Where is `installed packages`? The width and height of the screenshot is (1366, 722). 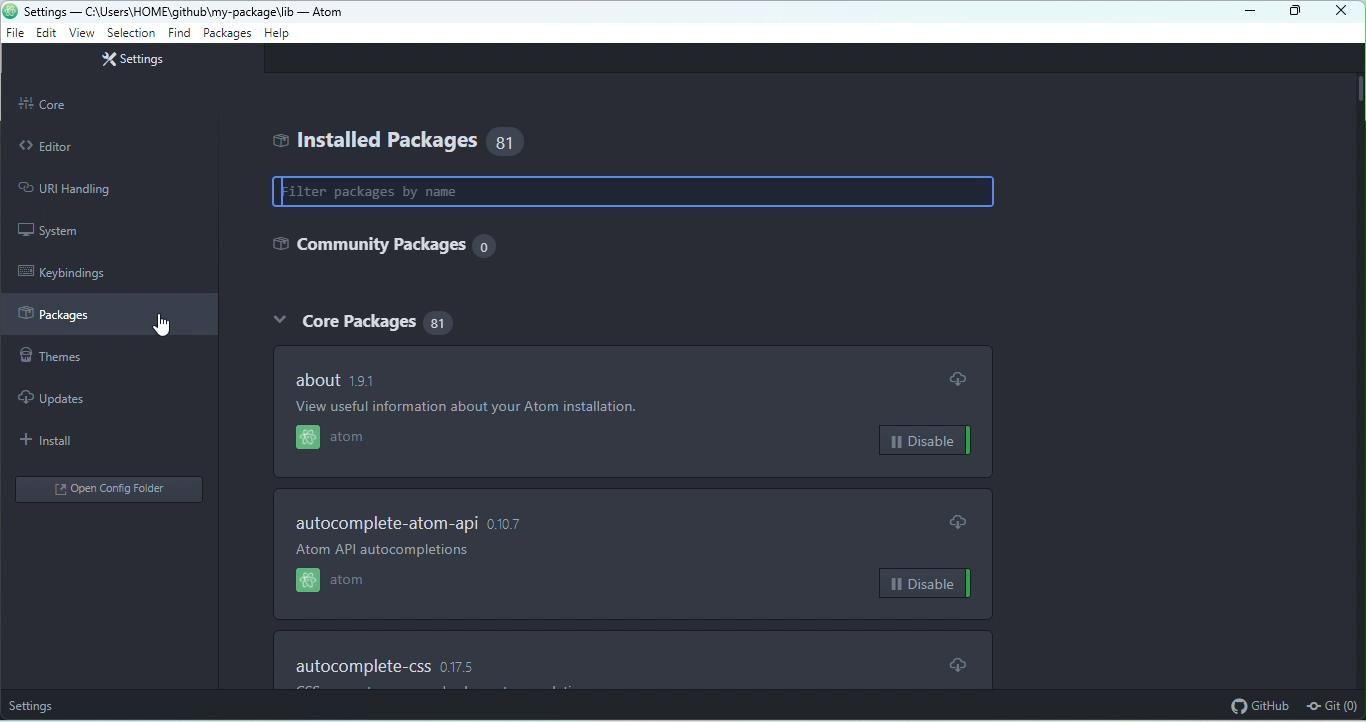
installed packages is located at coordinates (372, 140).